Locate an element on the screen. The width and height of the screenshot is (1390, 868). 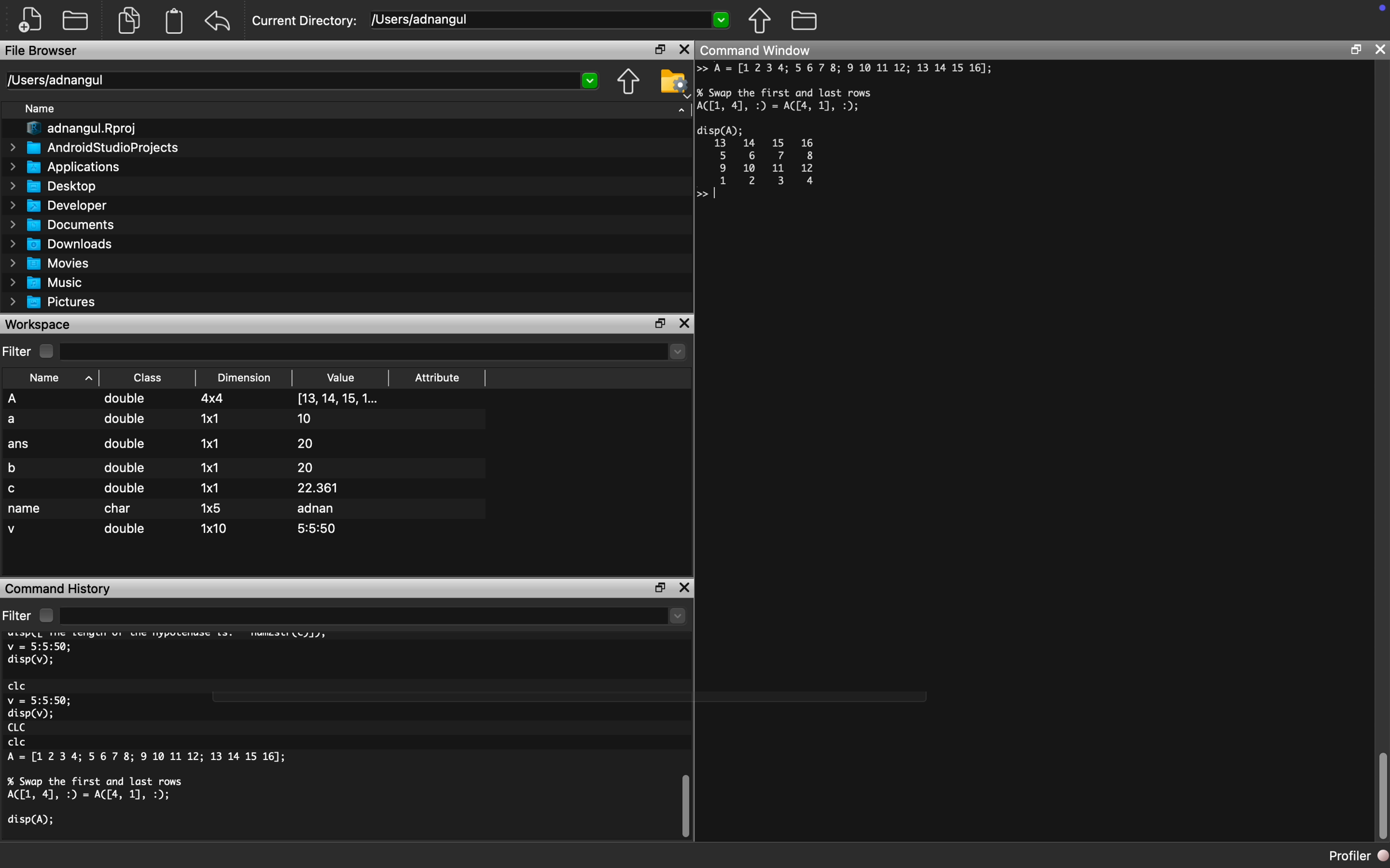
Current Directory: is located at coordinates (306, 19).